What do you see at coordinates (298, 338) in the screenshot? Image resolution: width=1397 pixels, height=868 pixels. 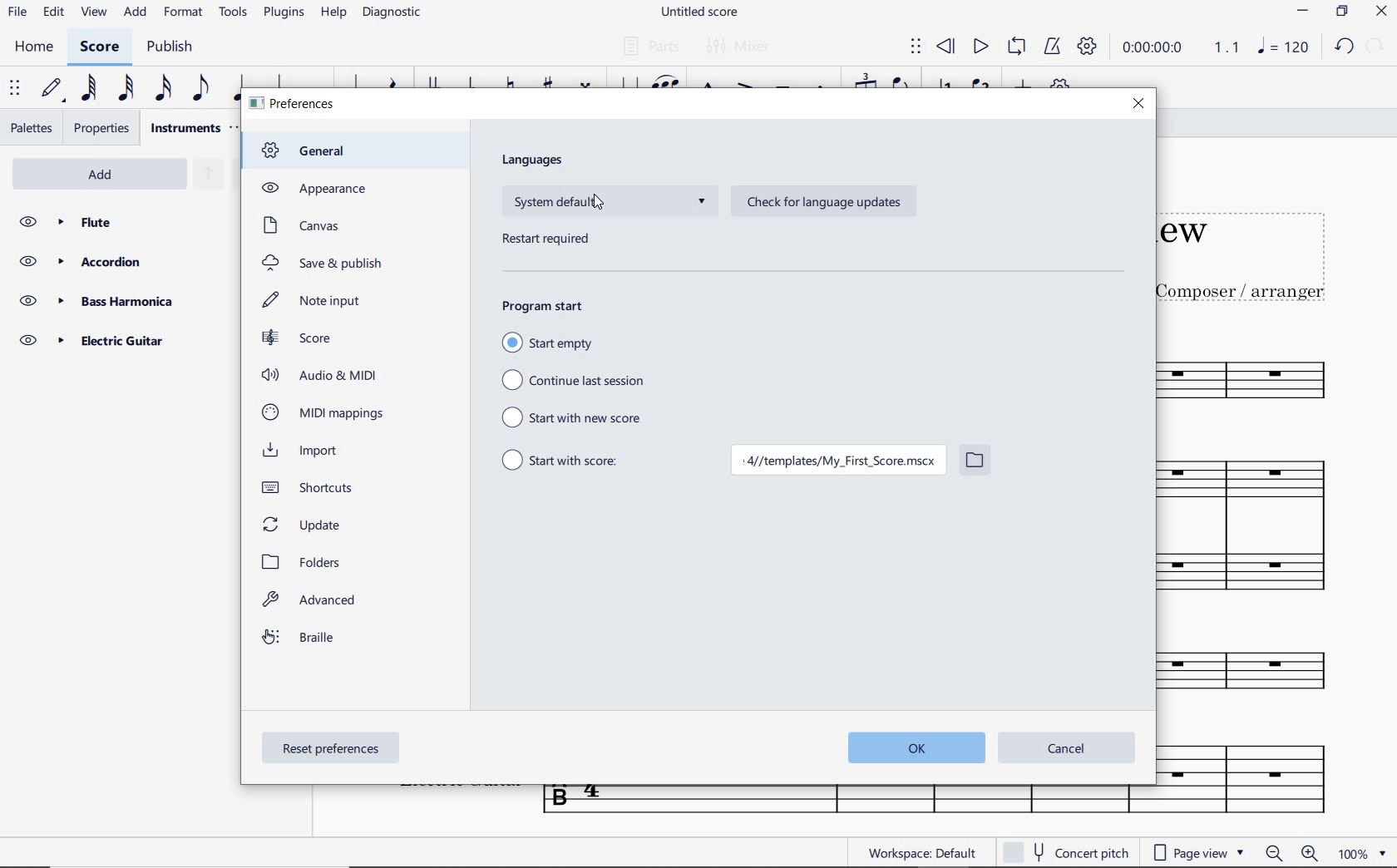 I see `score` at bounding box center [298, 338].